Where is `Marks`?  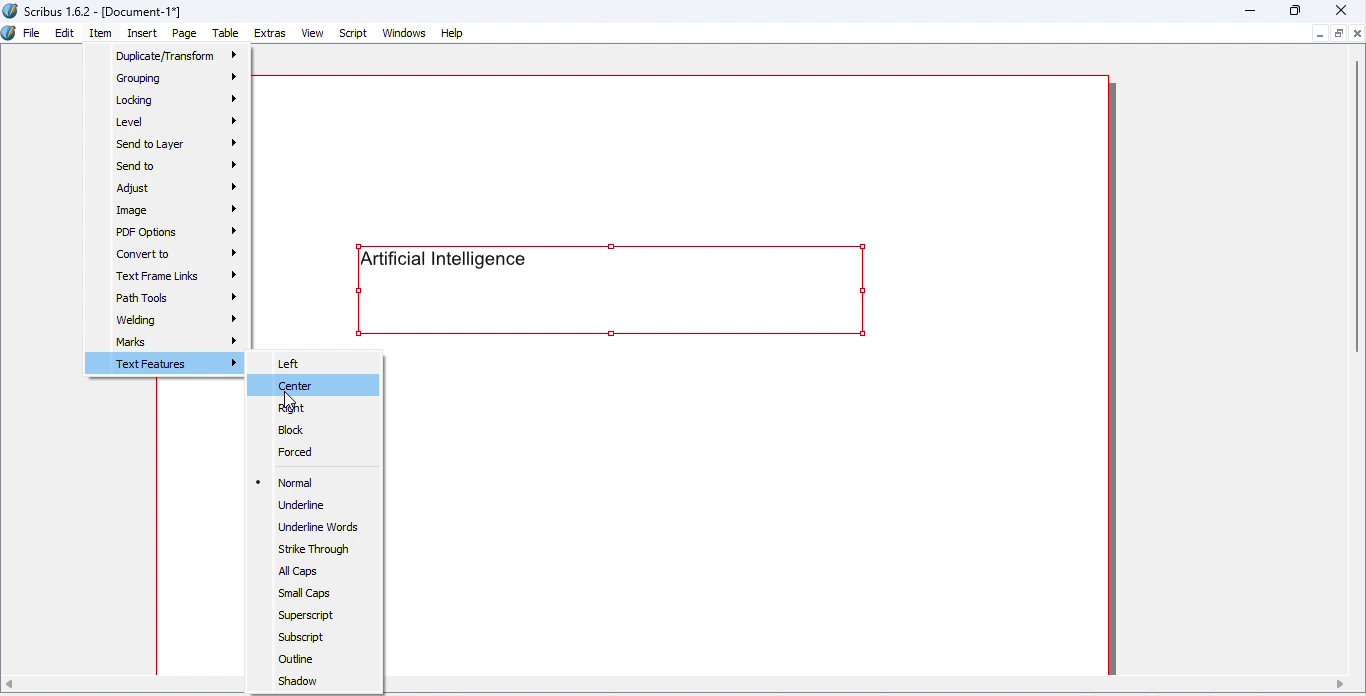
Marks is located at coordinates (181, 344).